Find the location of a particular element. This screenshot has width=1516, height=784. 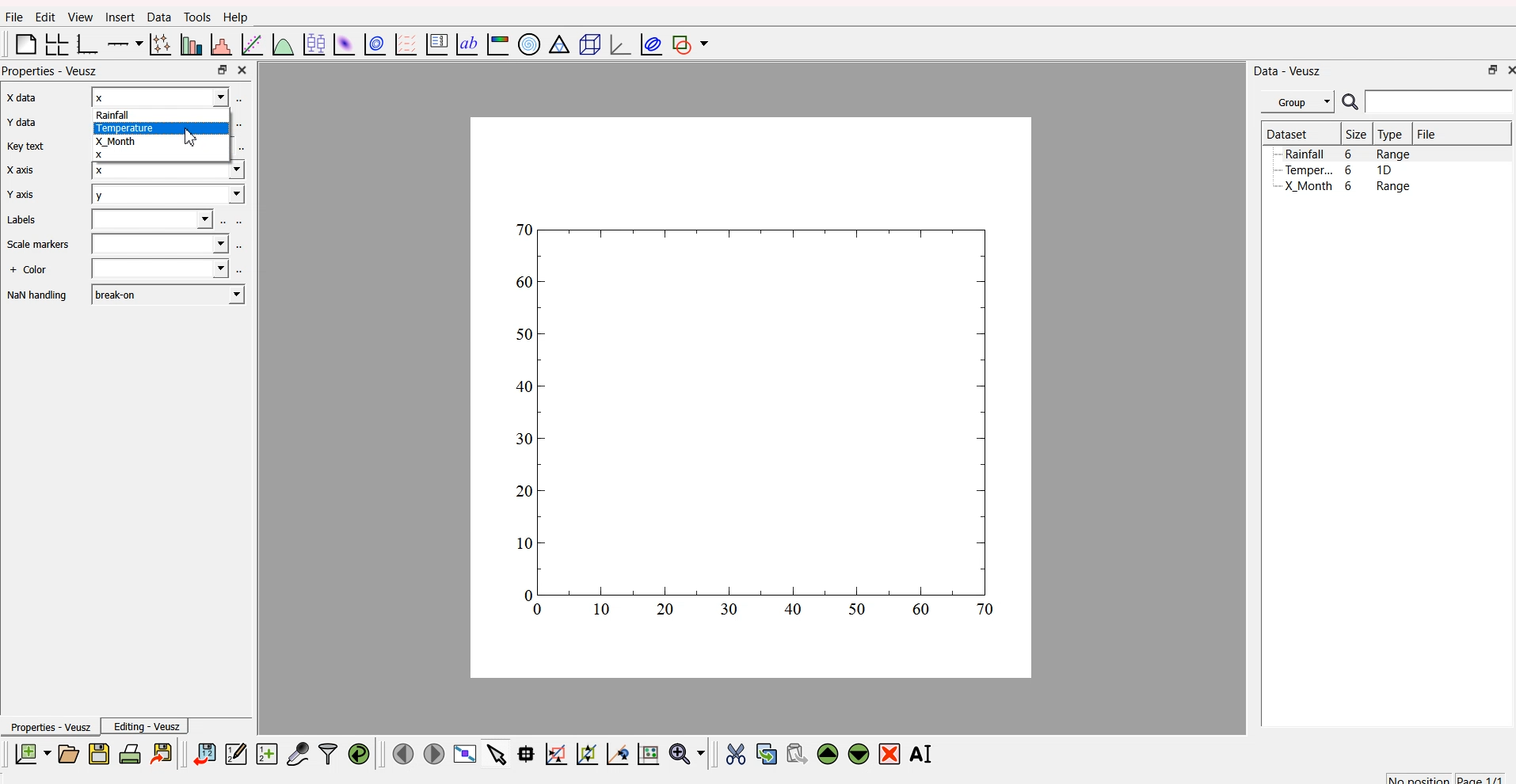

move up the widget is located at coordinates (827, 754).